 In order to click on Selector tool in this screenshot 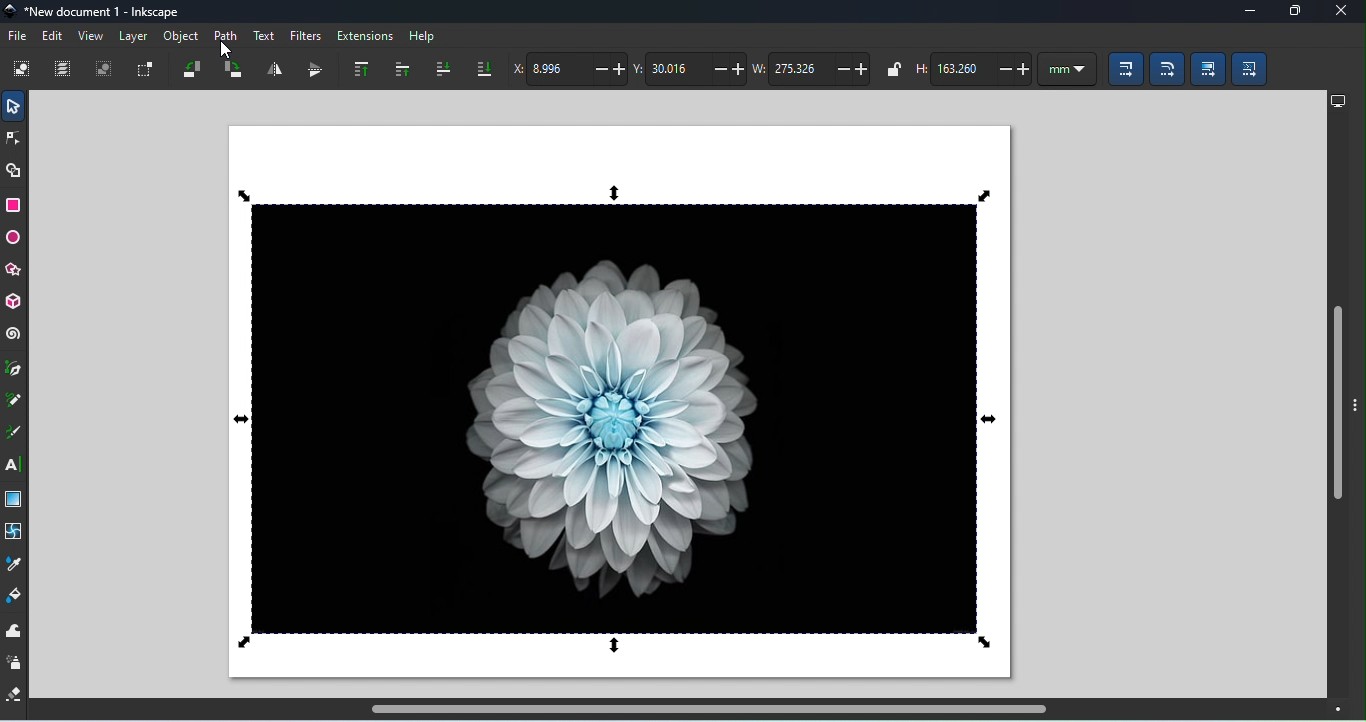, I will do `click(13, 106)`.